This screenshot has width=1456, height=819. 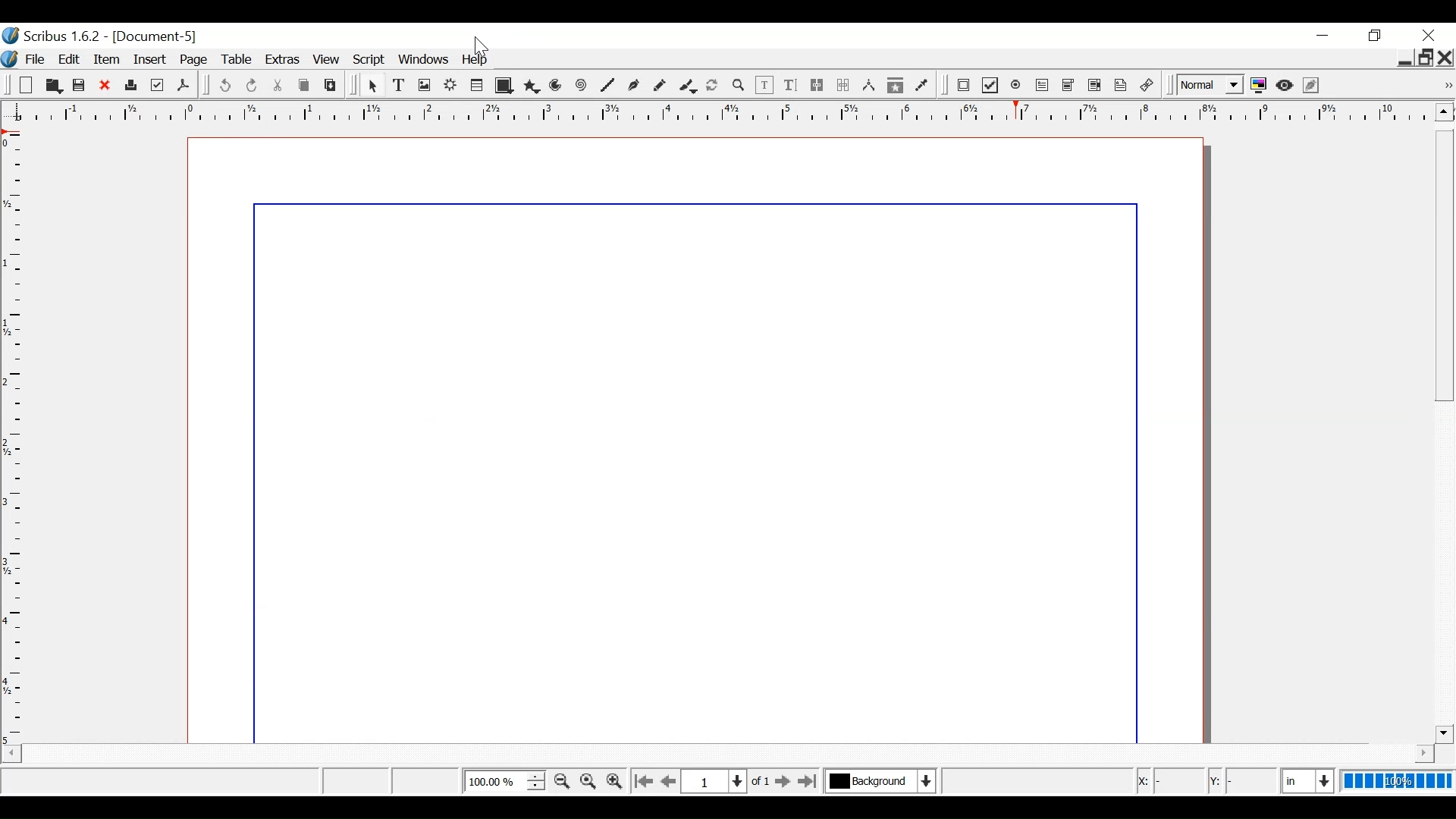 I want to click on Text Frame, so click(x=400, y=86).